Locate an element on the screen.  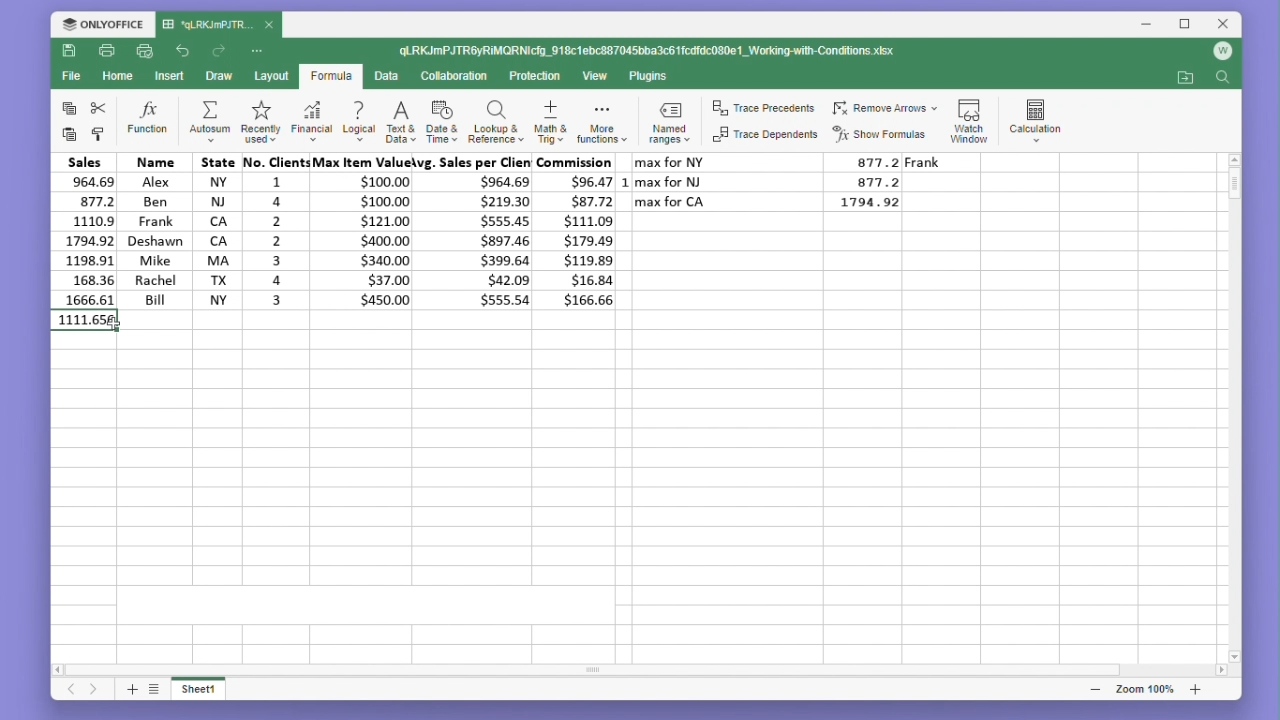
Account icon is located at coordinates (1219, 54).